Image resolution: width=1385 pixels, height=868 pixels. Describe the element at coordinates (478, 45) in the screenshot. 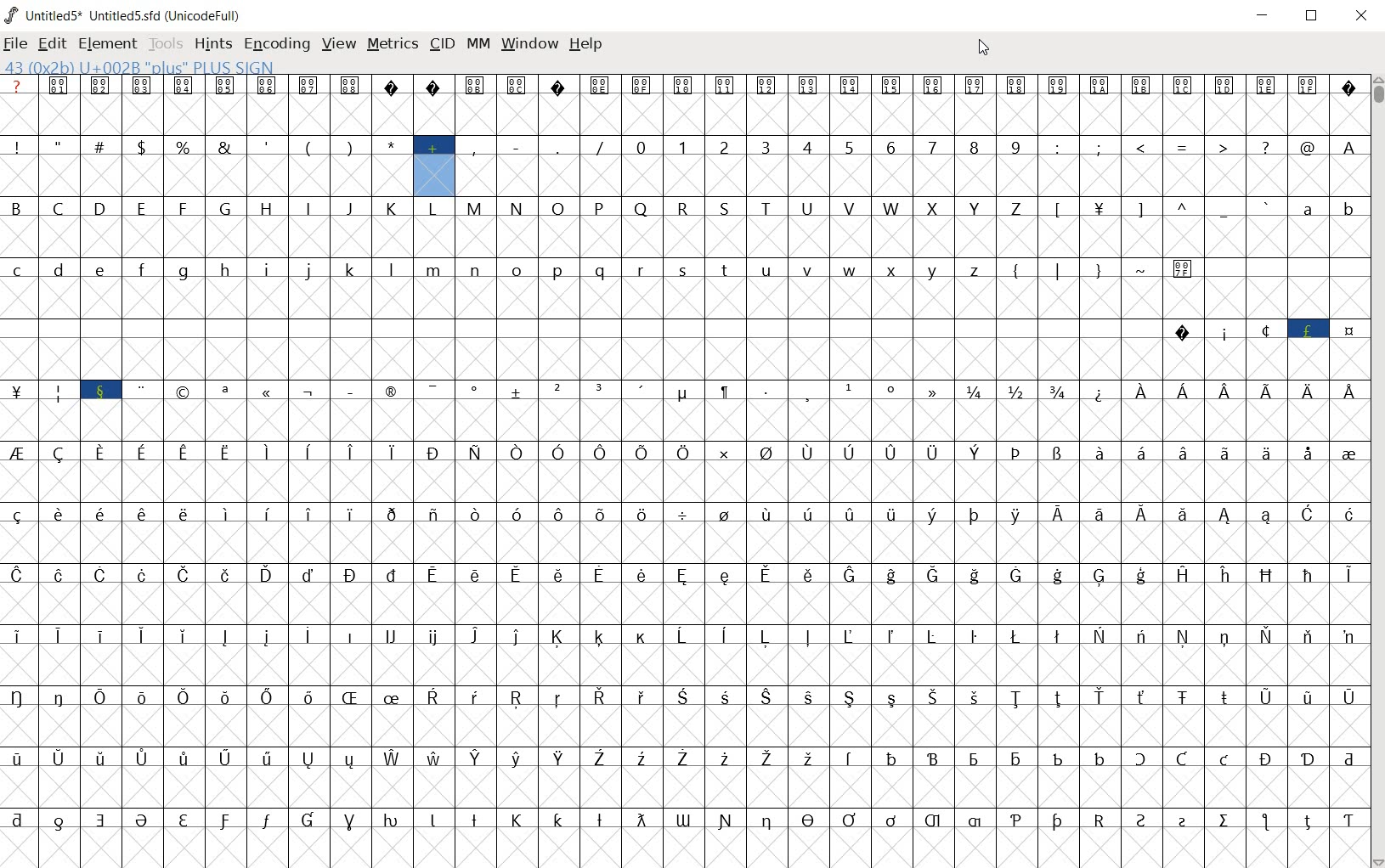

I see `mm` at that location.